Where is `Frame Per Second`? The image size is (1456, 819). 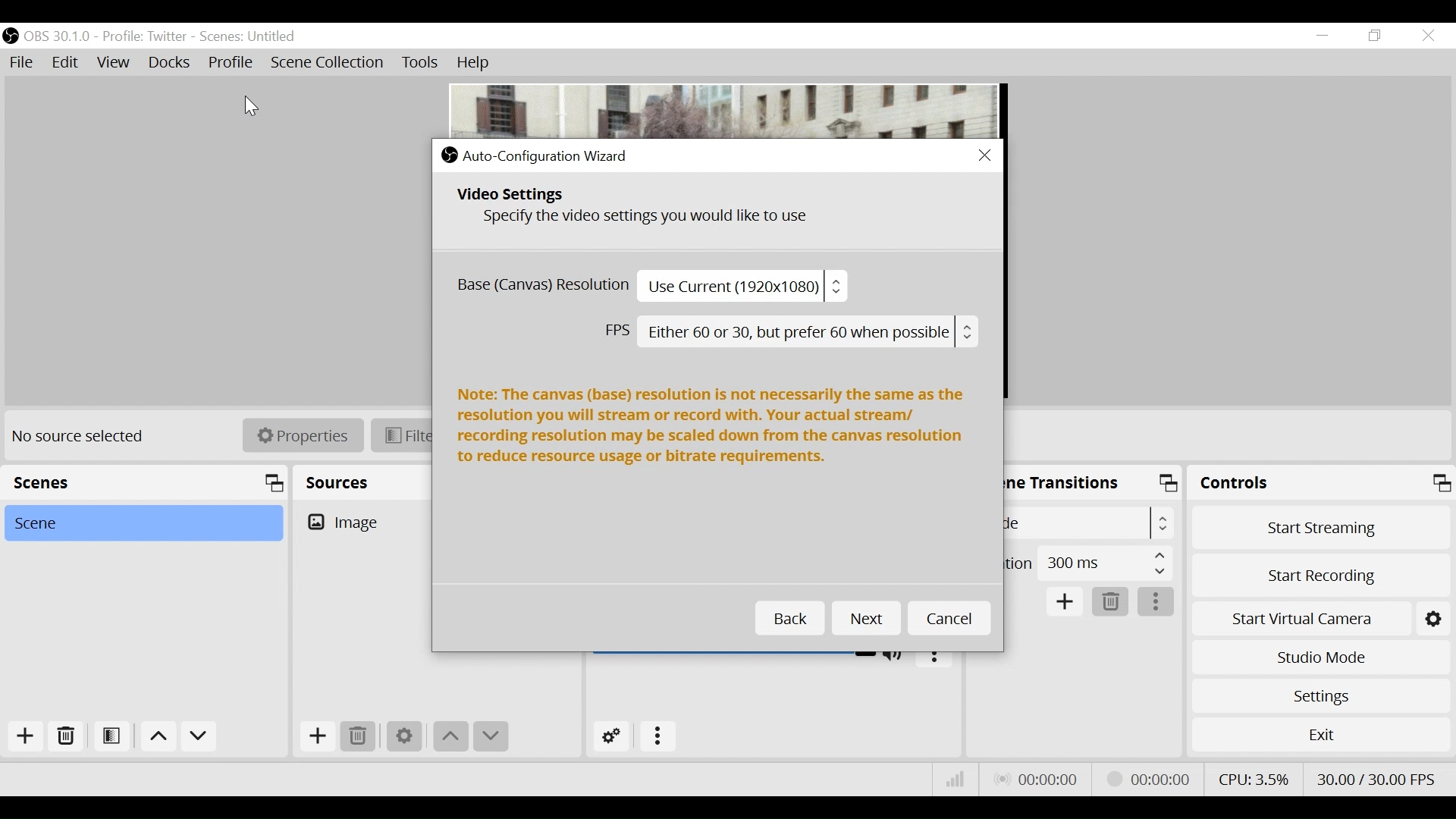
Frame Per Second is located at coordinates (792, 332).